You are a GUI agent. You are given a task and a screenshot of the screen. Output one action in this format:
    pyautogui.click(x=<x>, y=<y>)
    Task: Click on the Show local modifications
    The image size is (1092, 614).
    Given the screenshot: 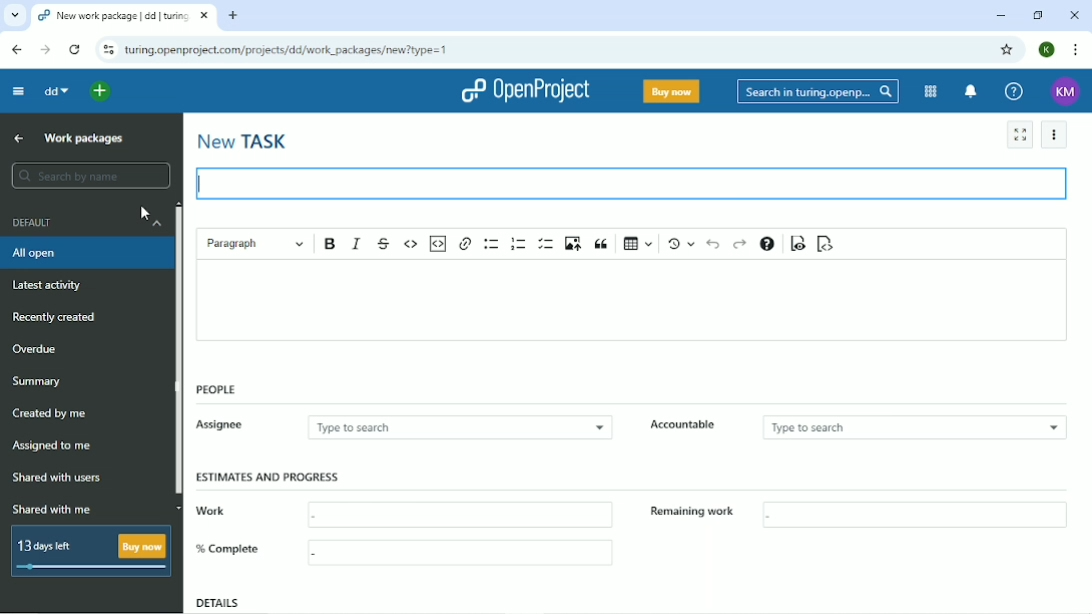 What is the action you would take?
    pyautogui.click(x=678, y=244)
    